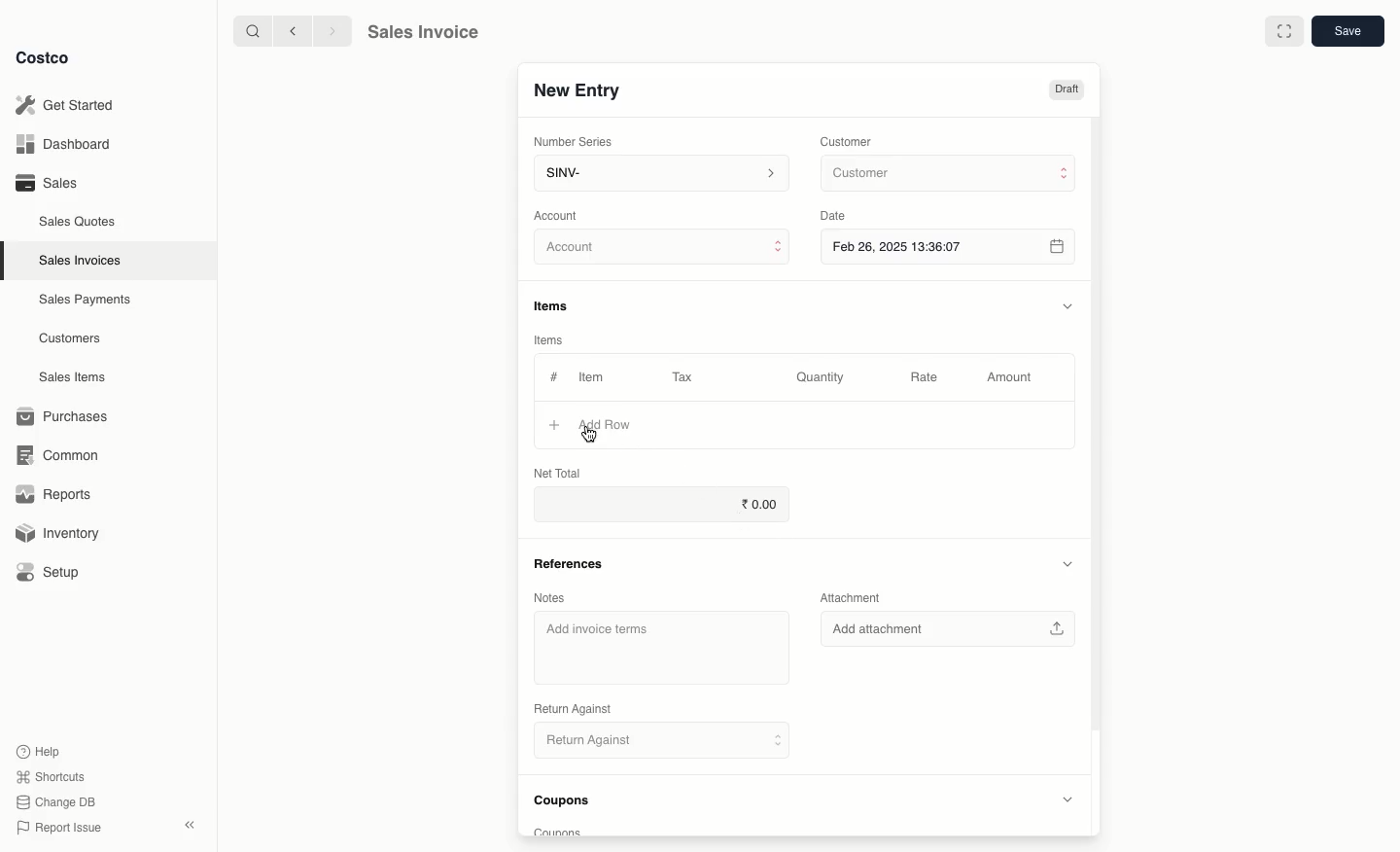  I want to click on Sales Payments., so click(87, 302).